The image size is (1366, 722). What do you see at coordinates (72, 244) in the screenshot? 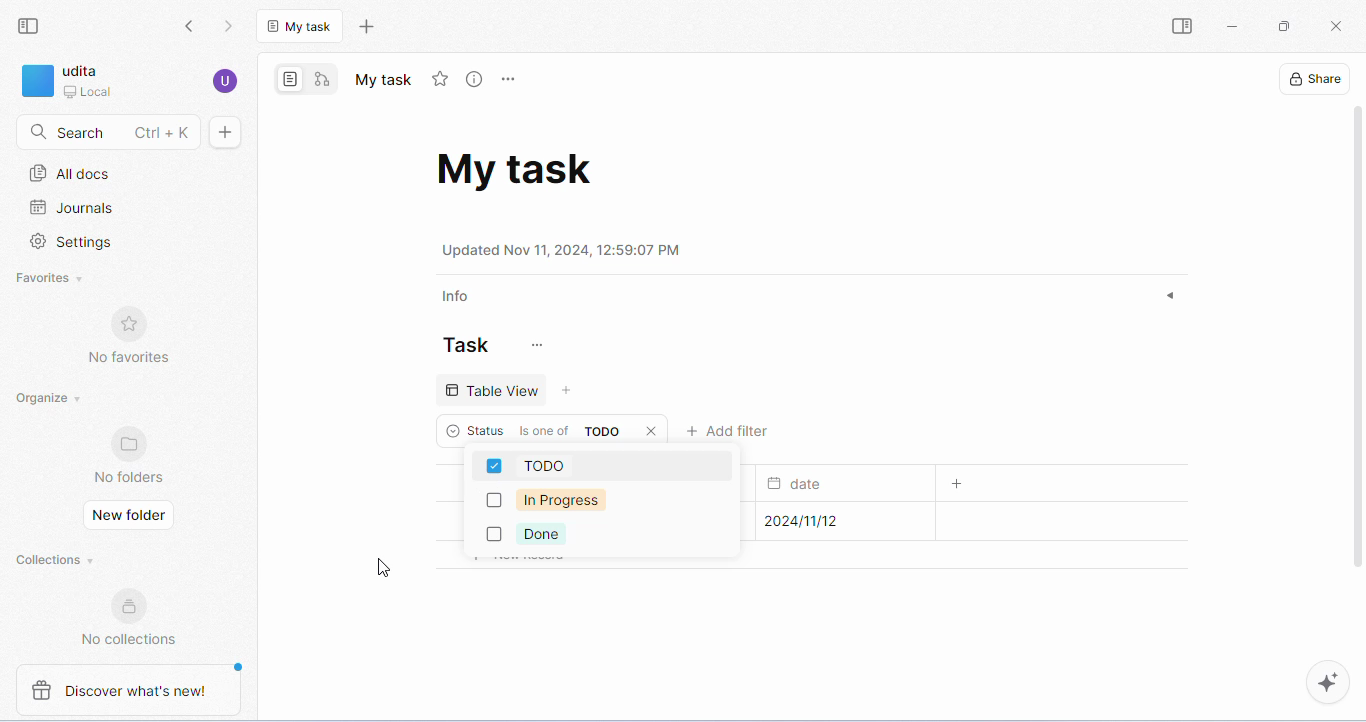
I see `settings` at bounding box center [72, 244].